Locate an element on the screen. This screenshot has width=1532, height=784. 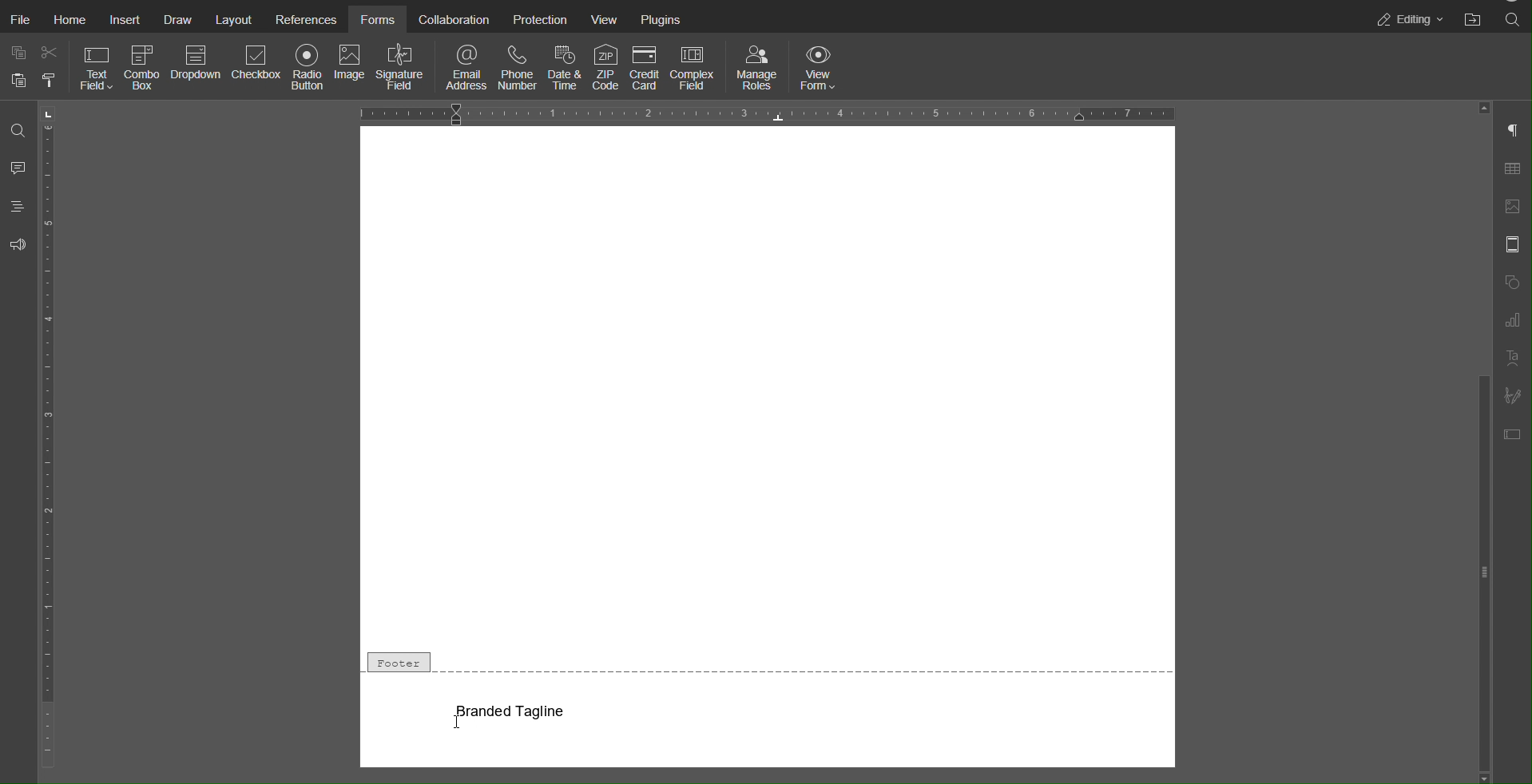
Image is located at coordinates (351, 69).